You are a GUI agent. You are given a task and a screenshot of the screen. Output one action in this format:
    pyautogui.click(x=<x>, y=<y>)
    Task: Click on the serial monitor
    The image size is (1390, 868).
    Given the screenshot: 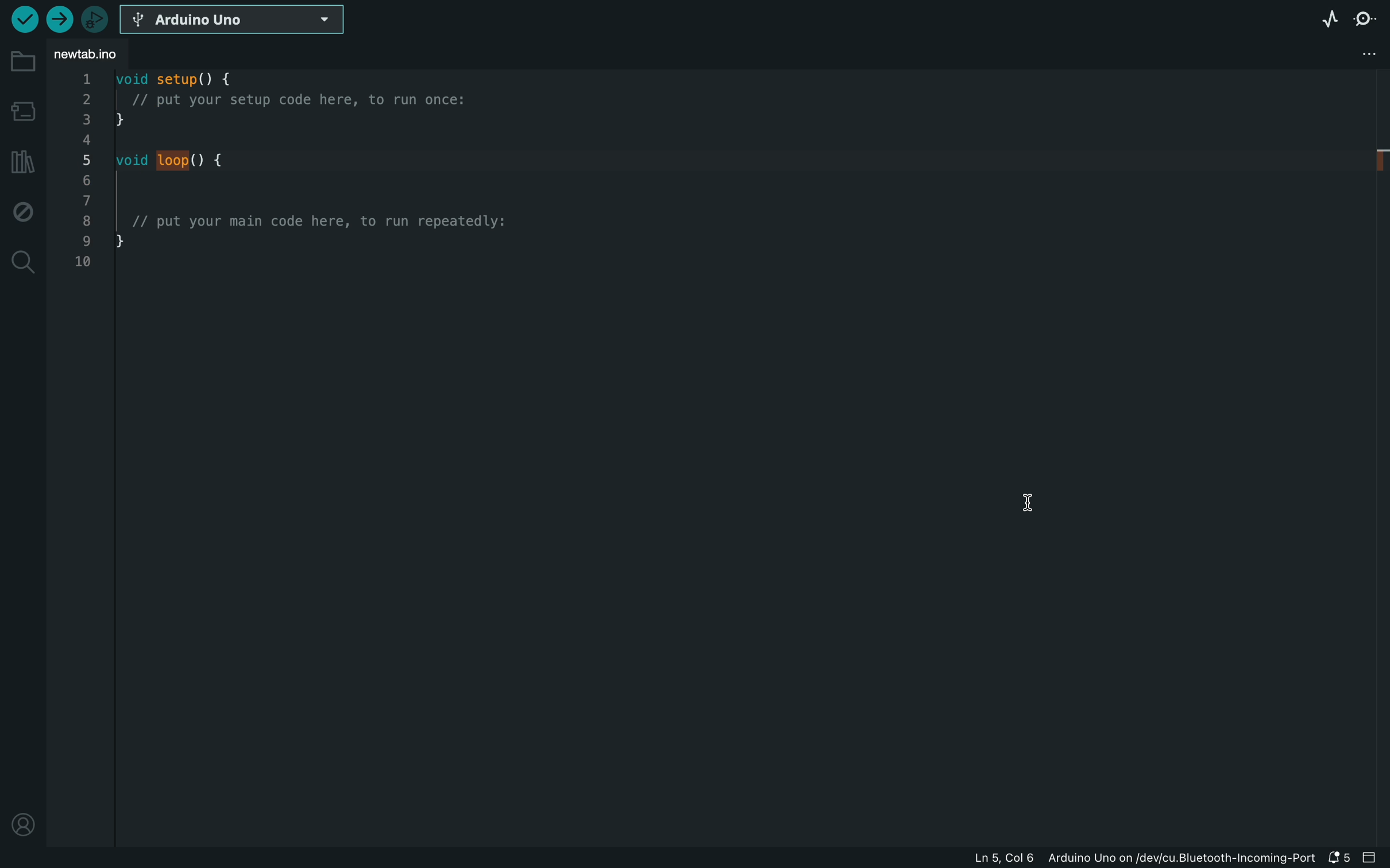 What is the action you would take?
    pyautogui.click(x=1365, y=23)
    